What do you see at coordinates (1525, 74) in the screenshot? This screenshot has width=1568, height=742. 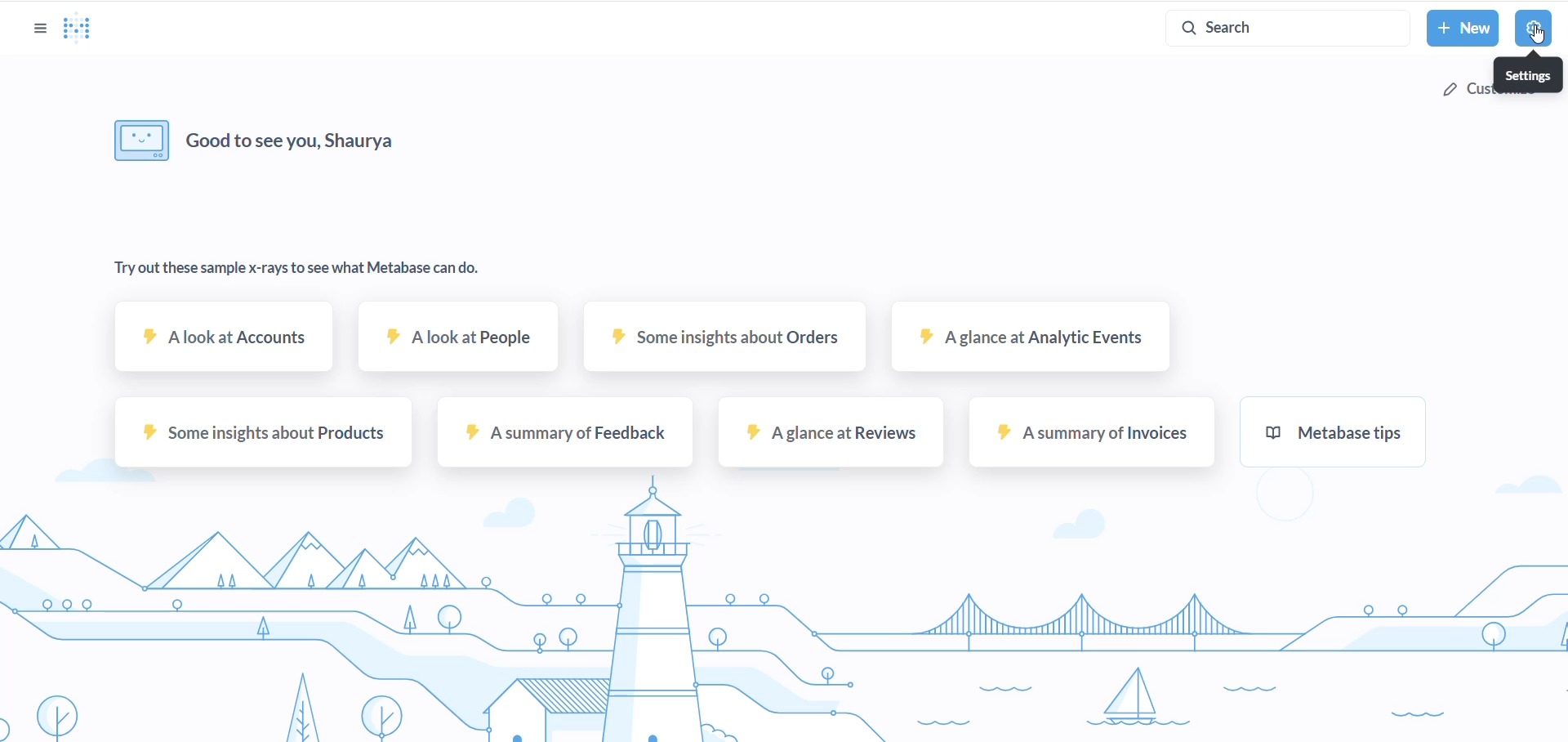 I see `settings` at bounding box center [1525, 74].